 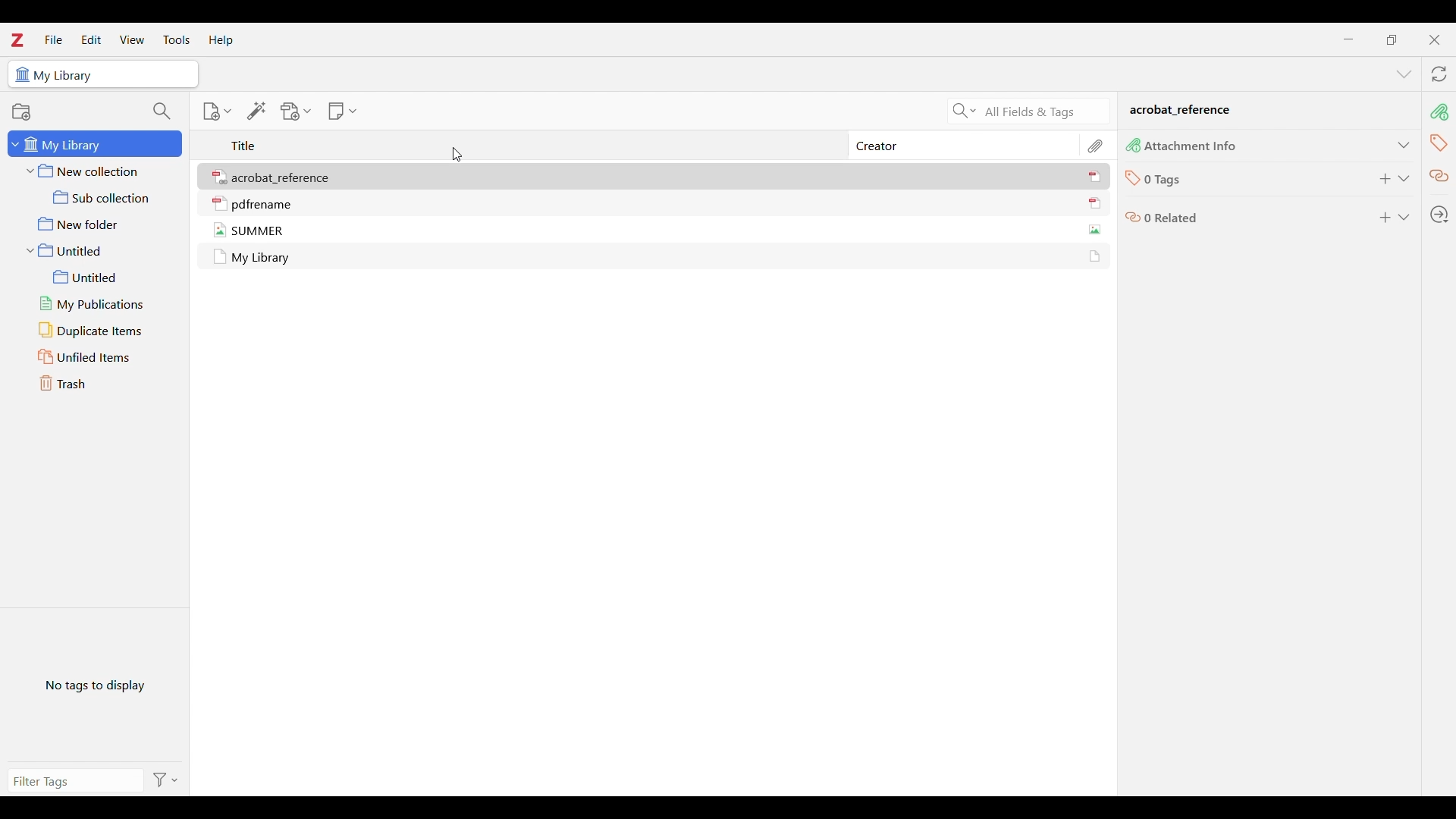 I want to click on Untitled folder, so click(x=96, y=250).